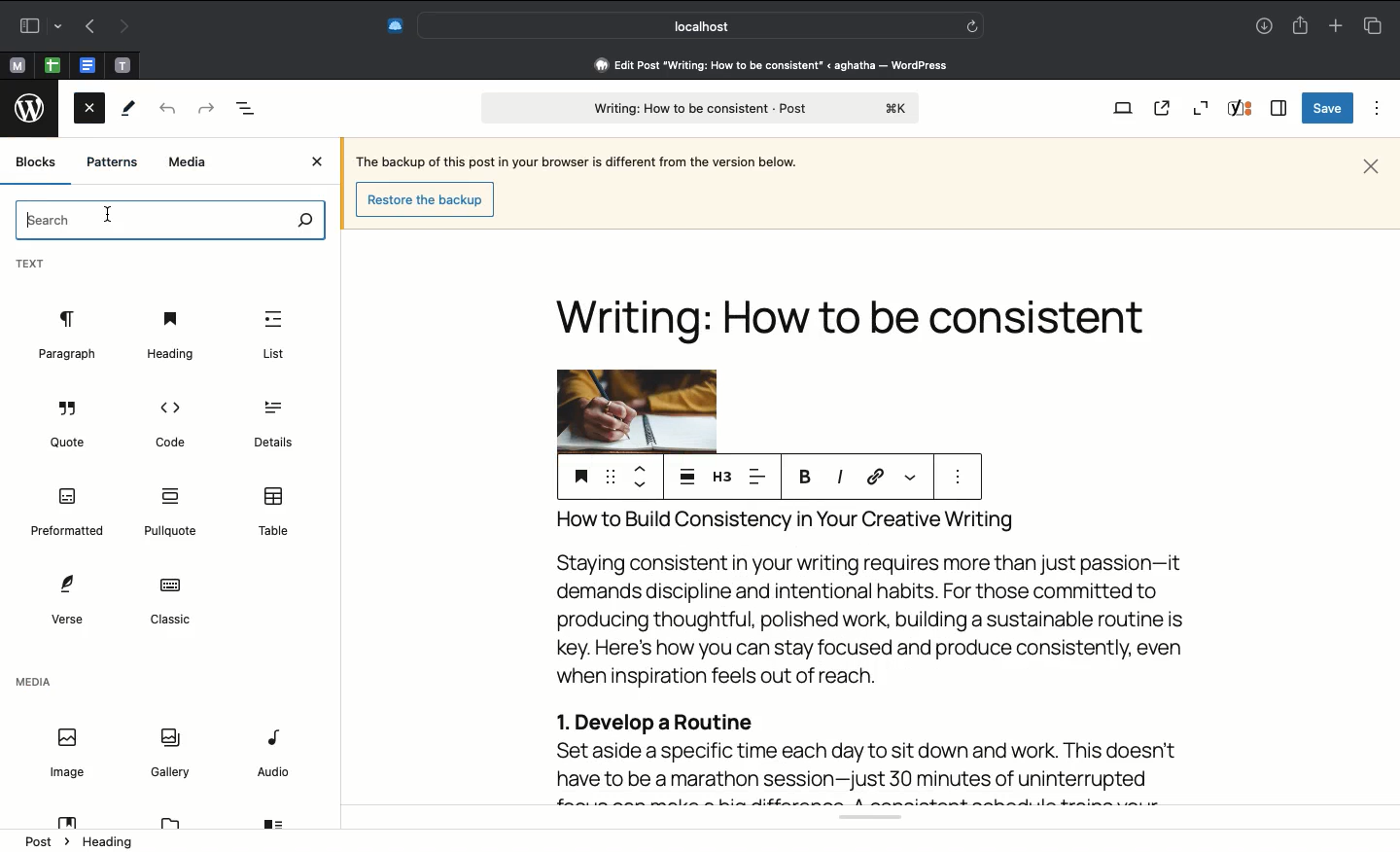 The height and width of the screenshot is (852, 1400). I want to click on Patterns, so click(112, 162).